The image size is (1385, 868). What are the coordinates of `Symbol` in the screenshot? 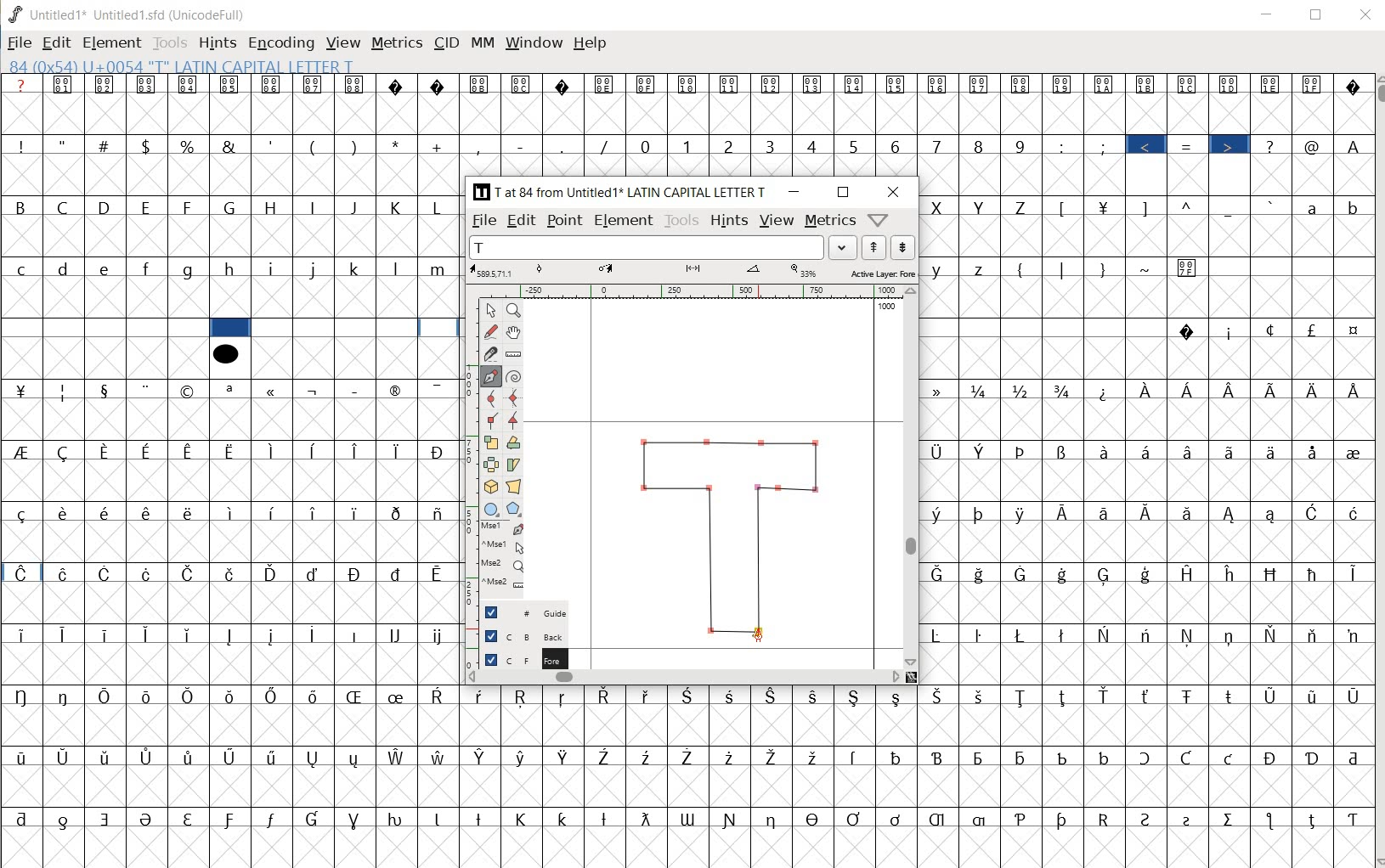 It's located at (1351, 86).